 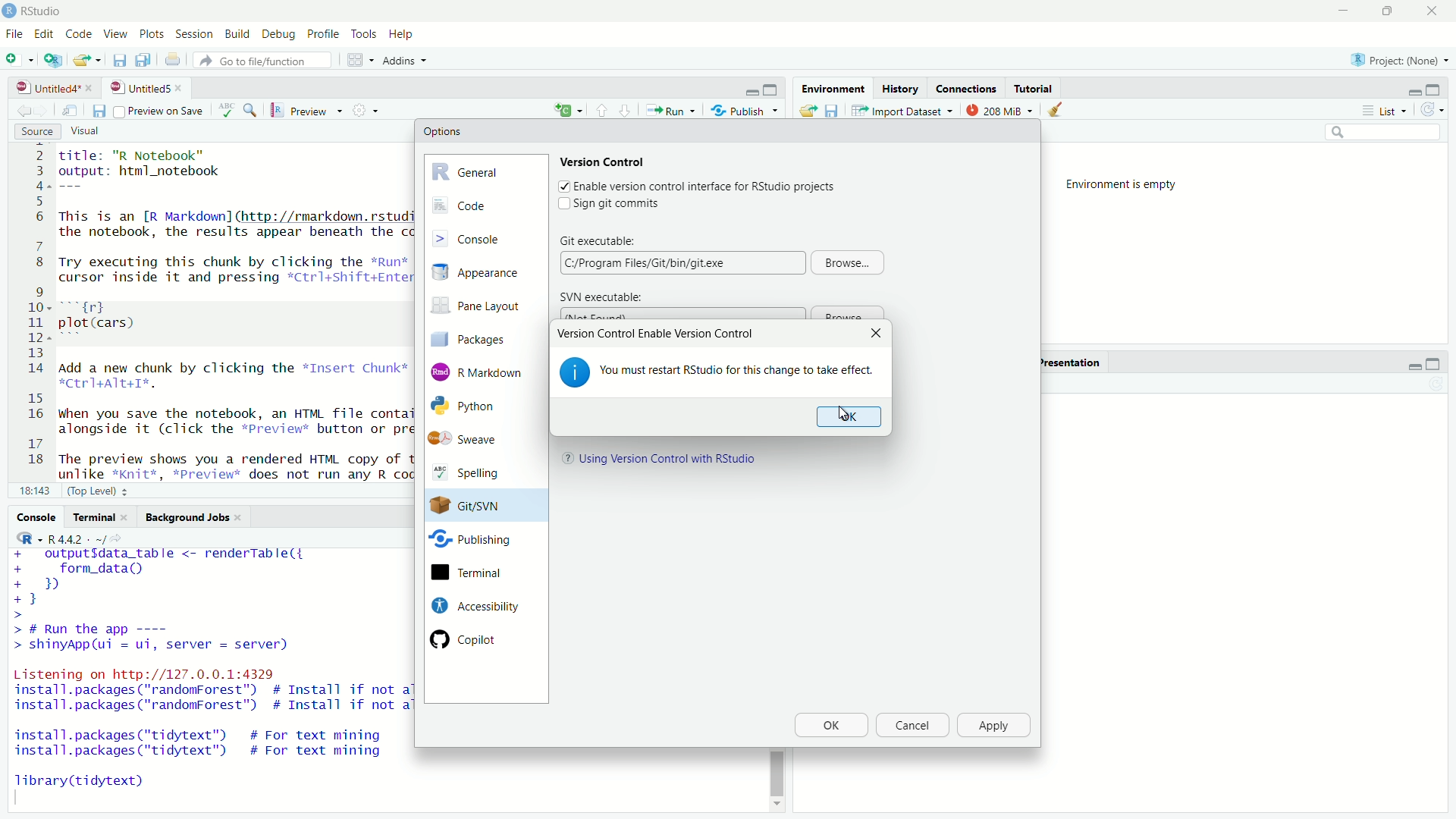 I want to click on History, so click(x=899, y=88).